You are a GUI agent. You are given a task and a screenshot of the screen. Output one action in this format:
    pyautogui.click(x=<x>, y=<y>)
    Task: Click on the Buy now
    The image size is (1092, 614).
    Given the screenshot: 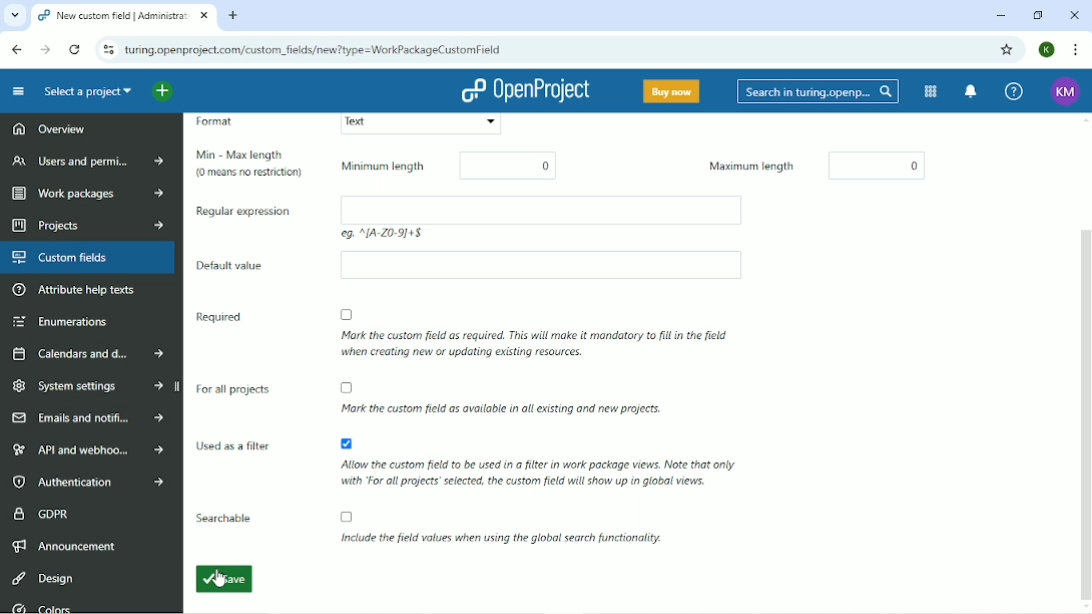 What is the action you would take?
    pyautogui.click(x=670, y=90)
    